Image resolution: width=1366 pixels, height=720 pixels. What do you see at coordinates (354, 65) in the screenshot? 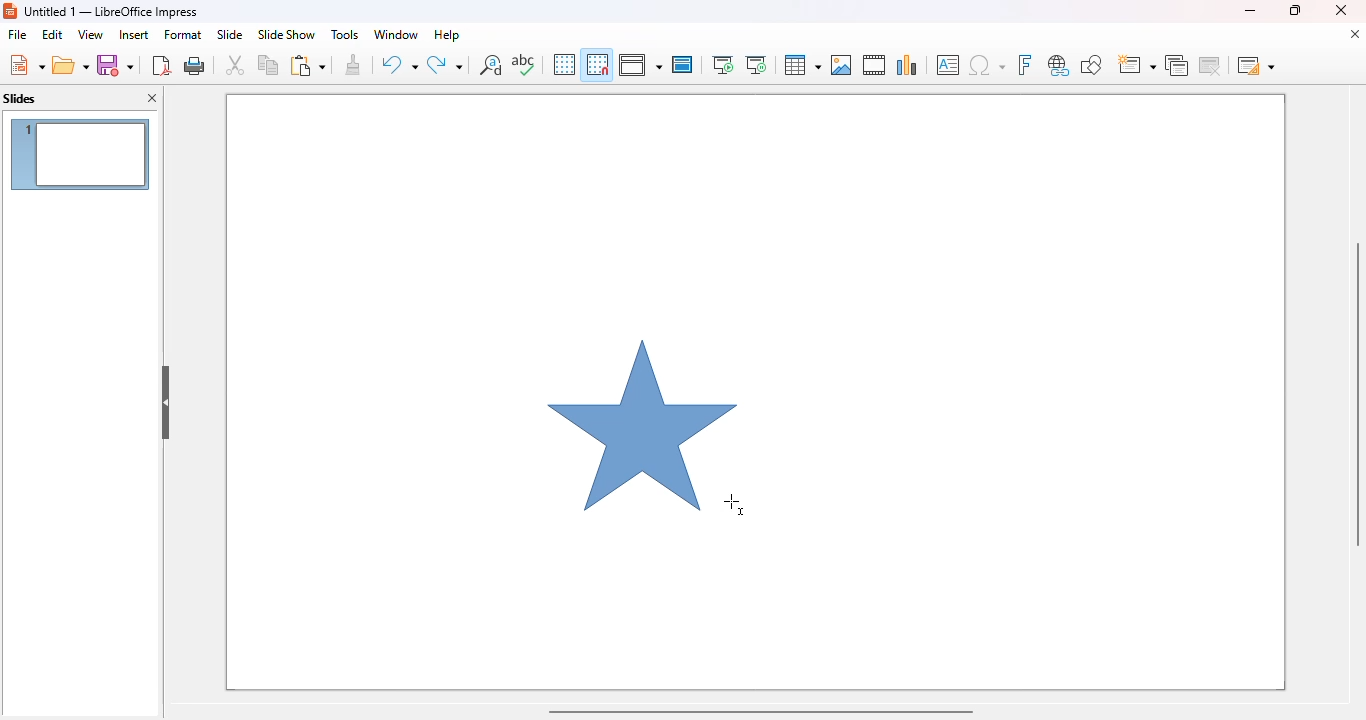
I see `clone formatting` at bounding box center [354, 65].